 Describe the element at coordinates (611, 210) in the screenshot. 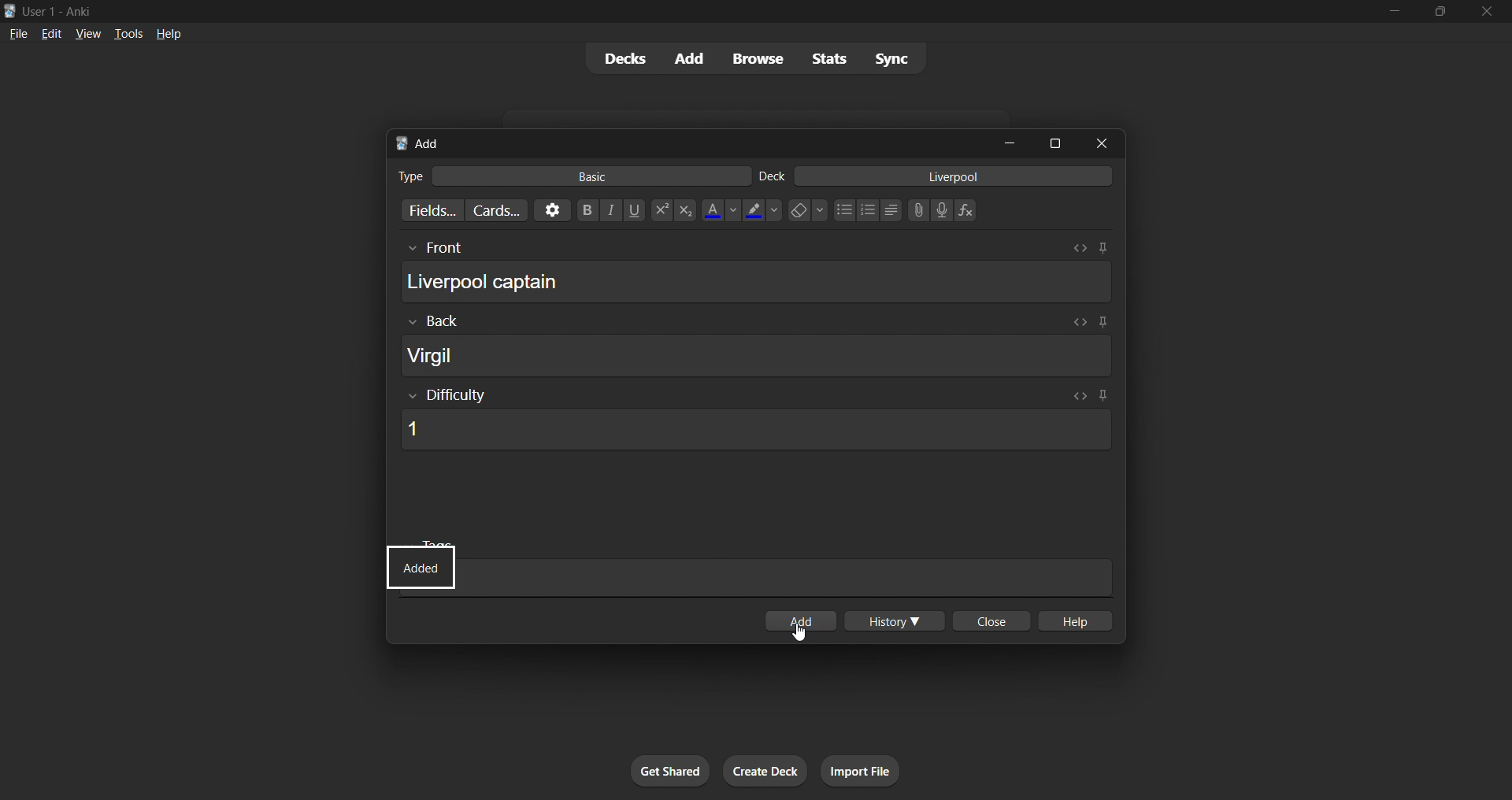

I see `Italics` at that location.